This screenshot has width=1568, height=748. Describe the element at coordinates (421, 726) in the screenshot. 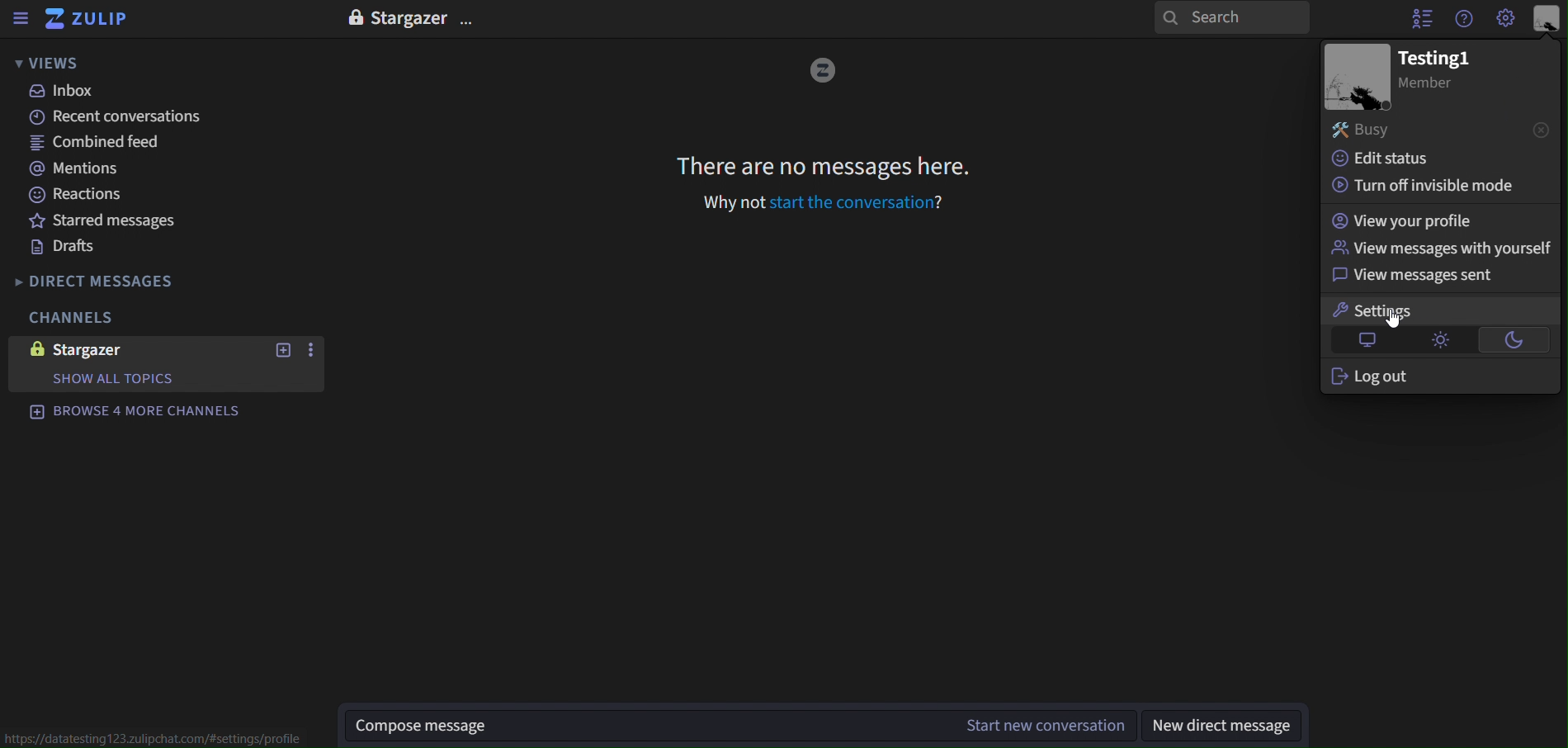

I see `Compose message` at that location.